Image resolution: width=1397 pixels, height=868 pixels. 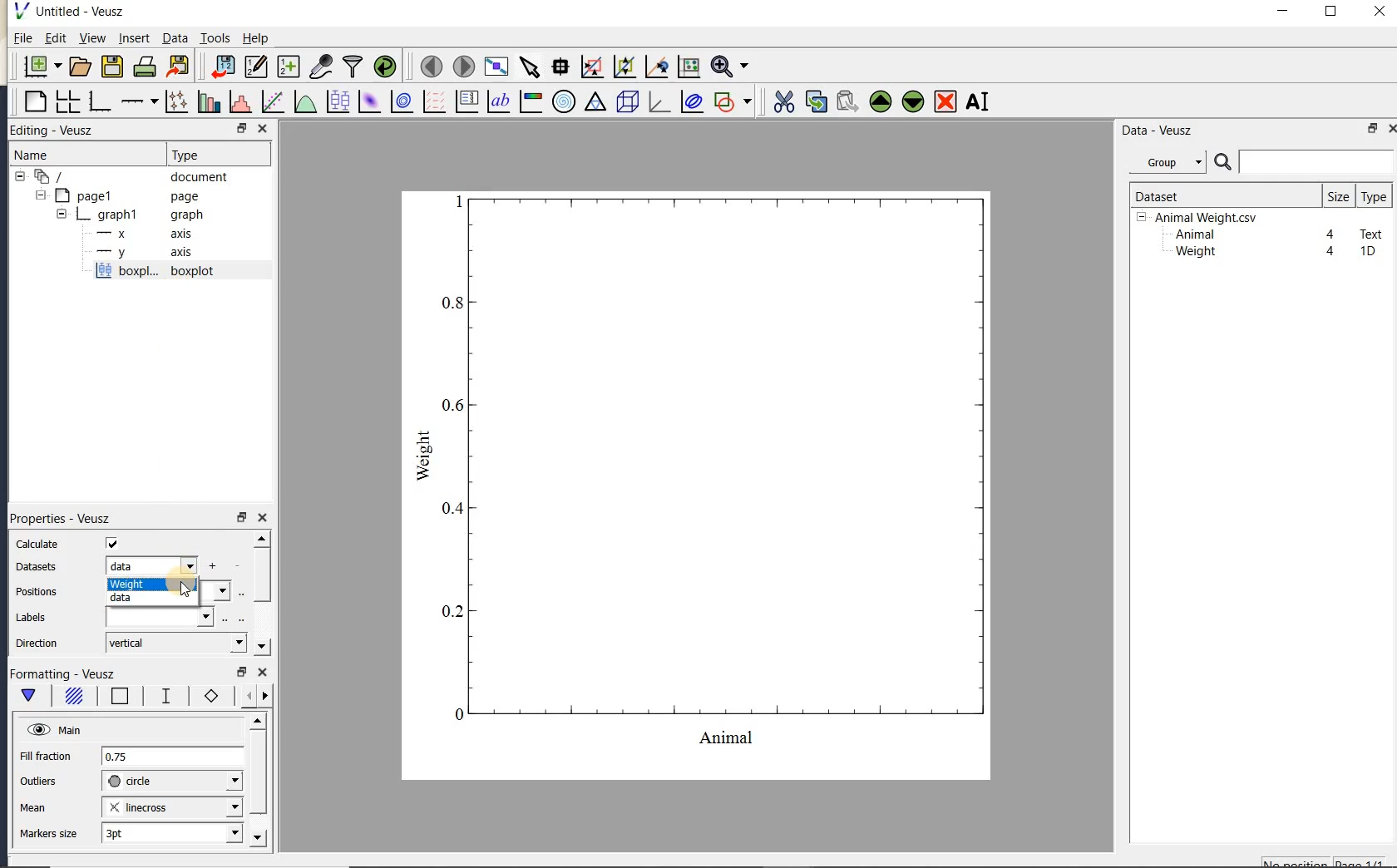 What do you see at coordinates (814, 101) in the screenshot?
I see `copy the selected widget` at bounding box center [814, 101].